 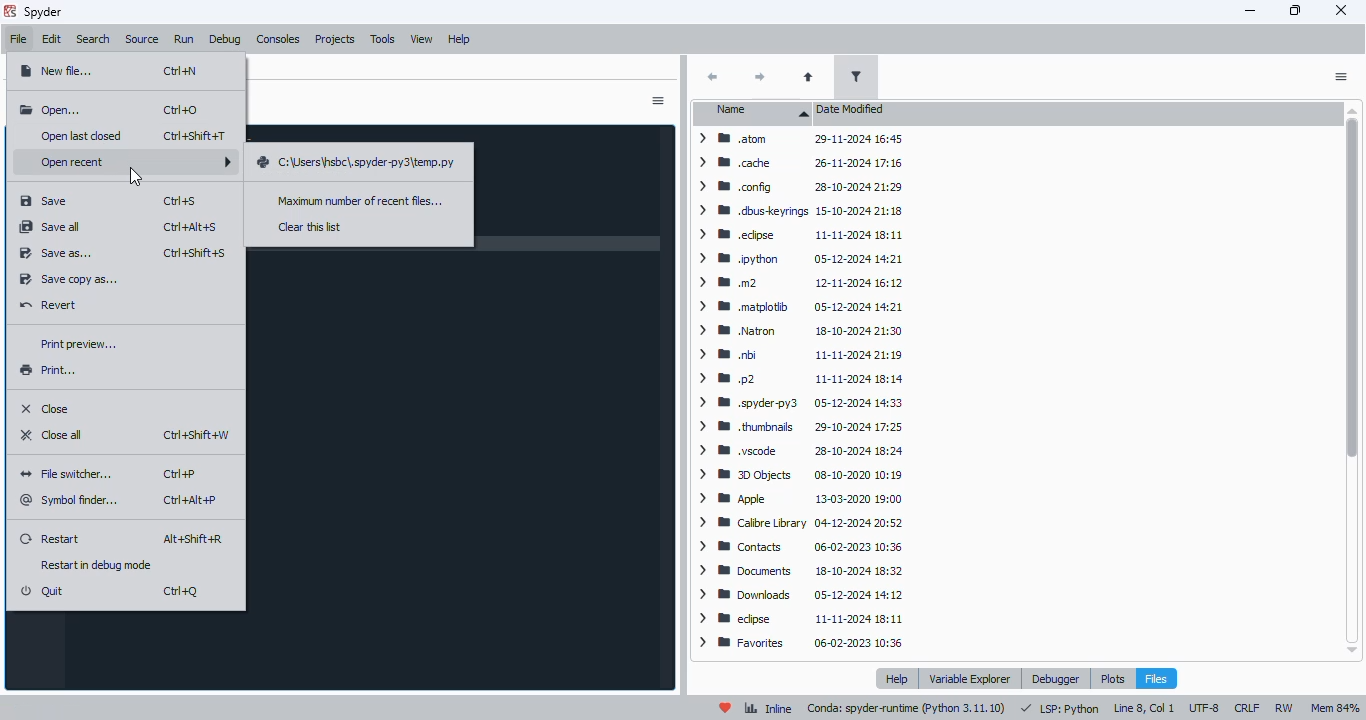 I want to click on shortcut for open last closed, so click(x=195, y=136).